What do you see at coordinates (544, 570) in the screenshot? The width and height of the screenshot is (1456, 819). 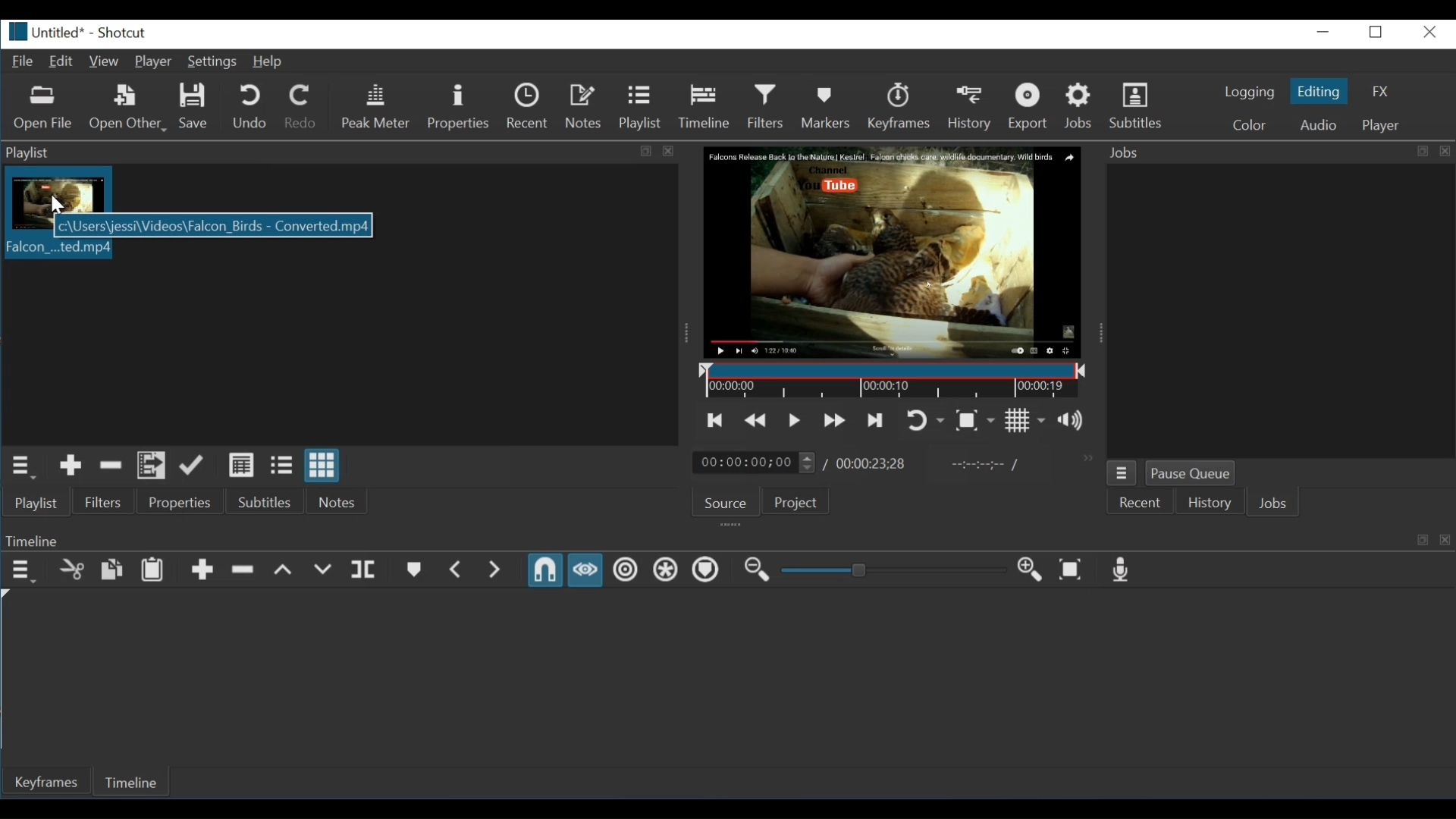 I see `Snap` at bounding box center [544, 570].